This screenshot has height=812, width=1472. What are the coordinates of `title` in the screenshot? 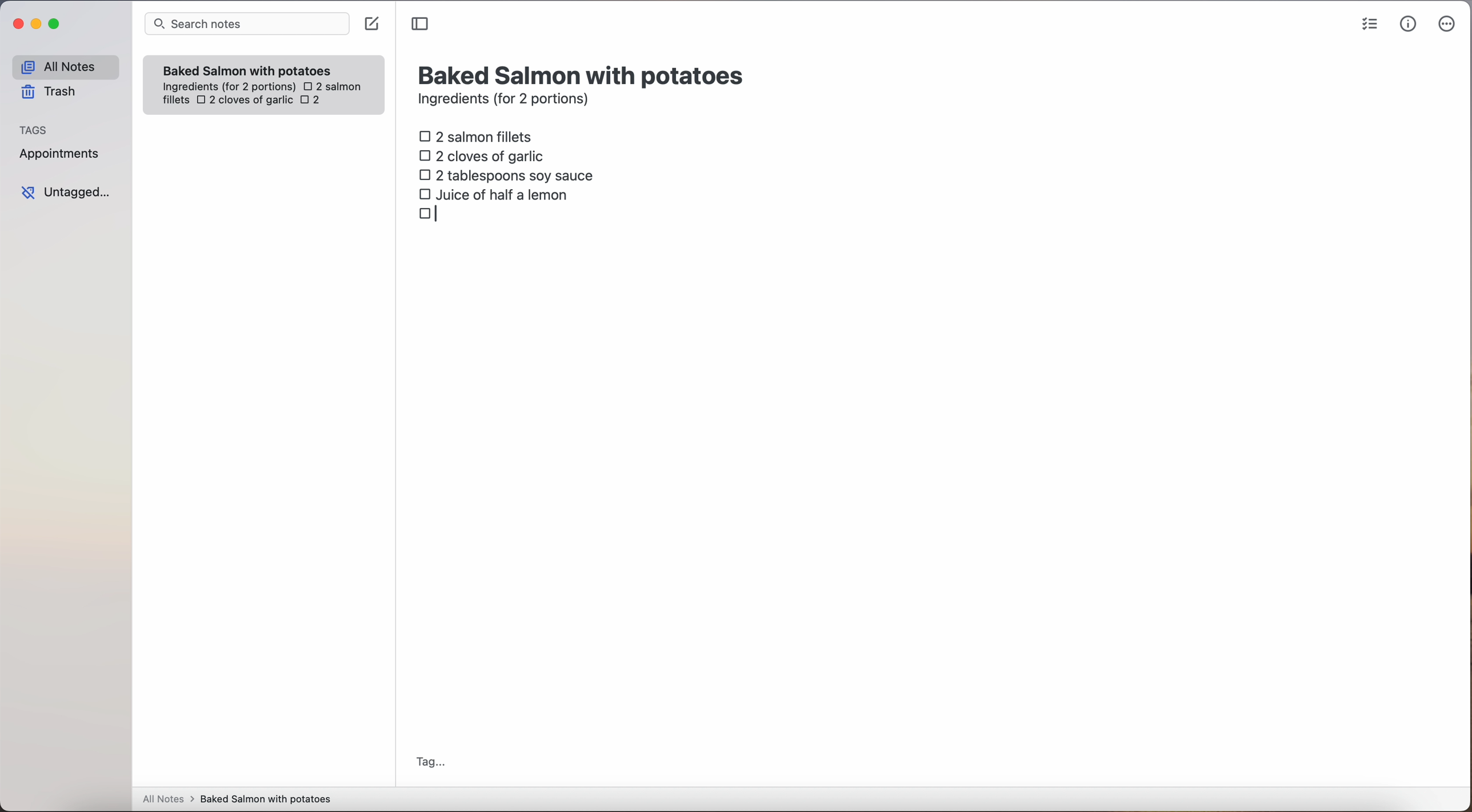 It's located at (583, 74).